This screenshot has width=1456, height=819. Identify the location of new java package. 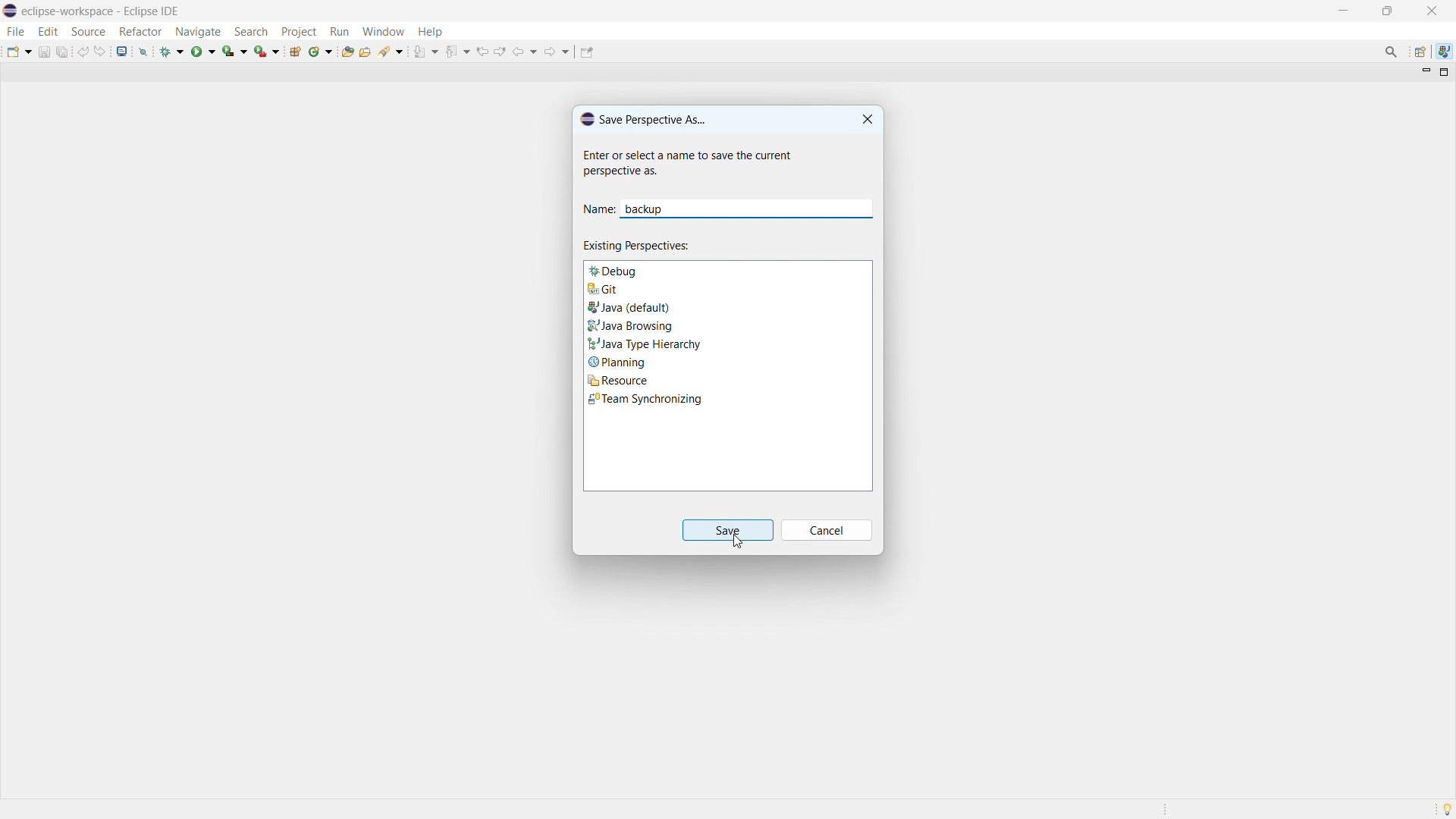
(295, 52).